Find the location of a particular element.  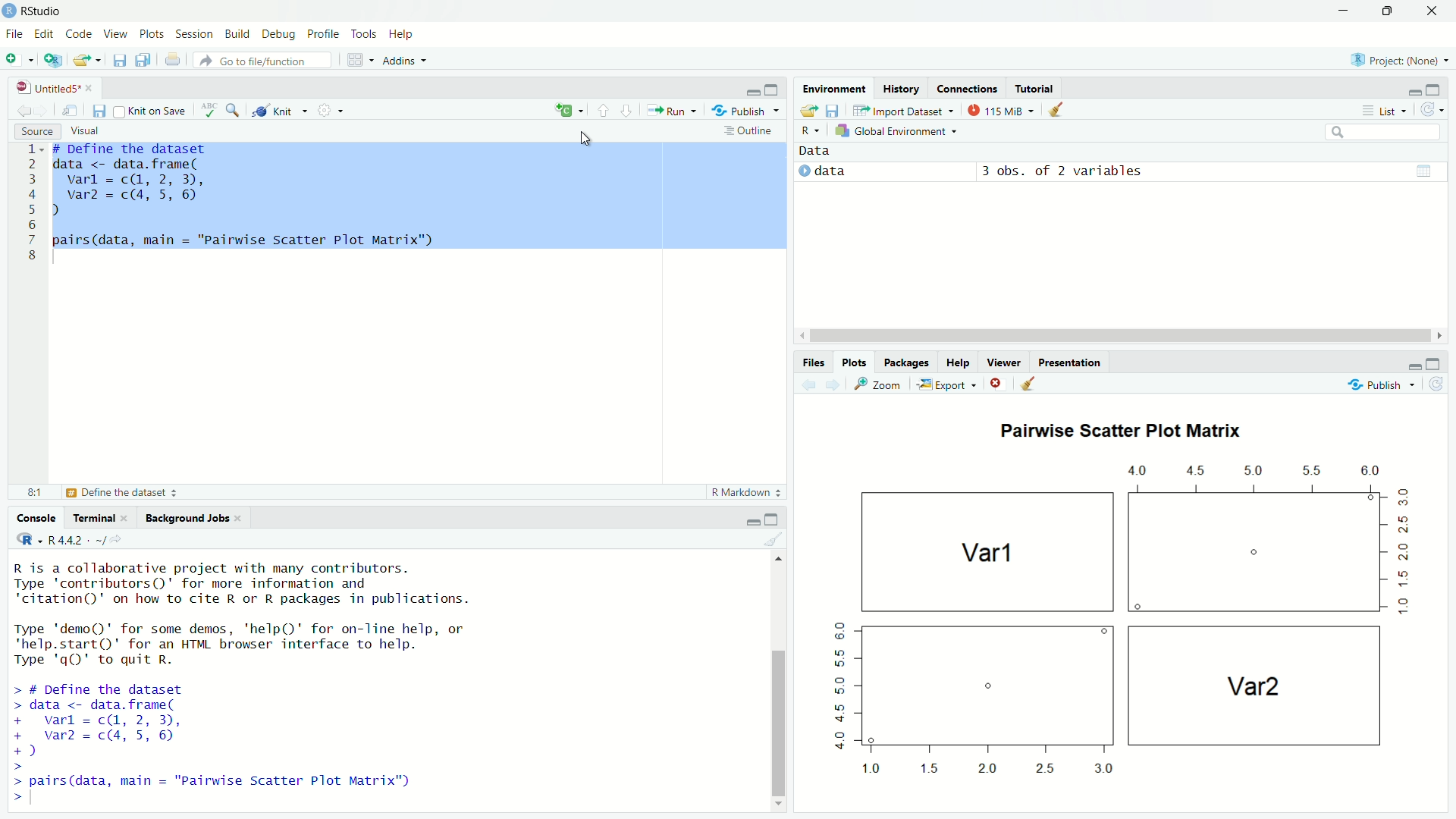

R is located at coordinates (809, 131).